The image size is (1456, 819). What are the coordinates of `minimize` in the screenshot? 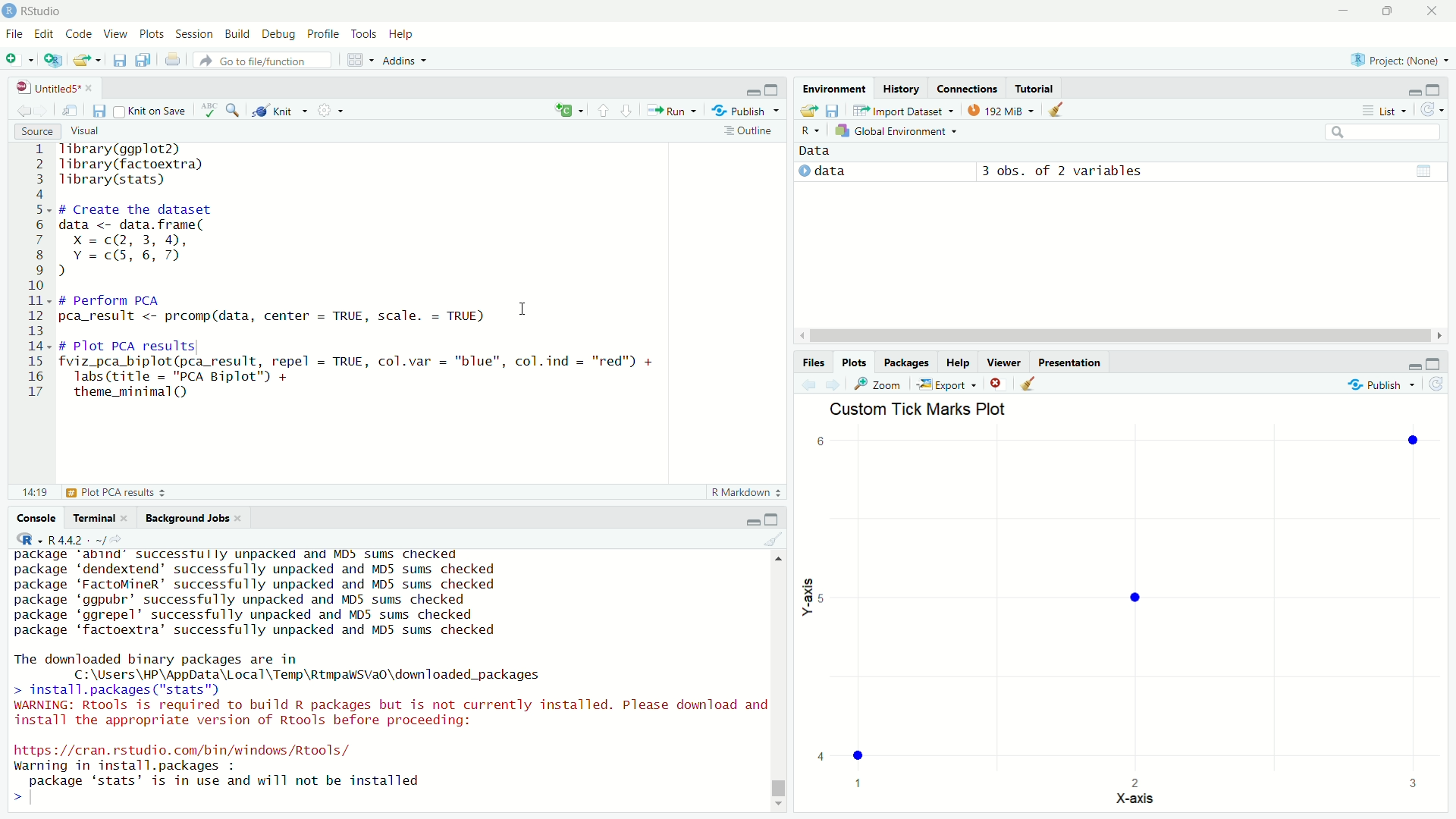 It's located at (752, 519).